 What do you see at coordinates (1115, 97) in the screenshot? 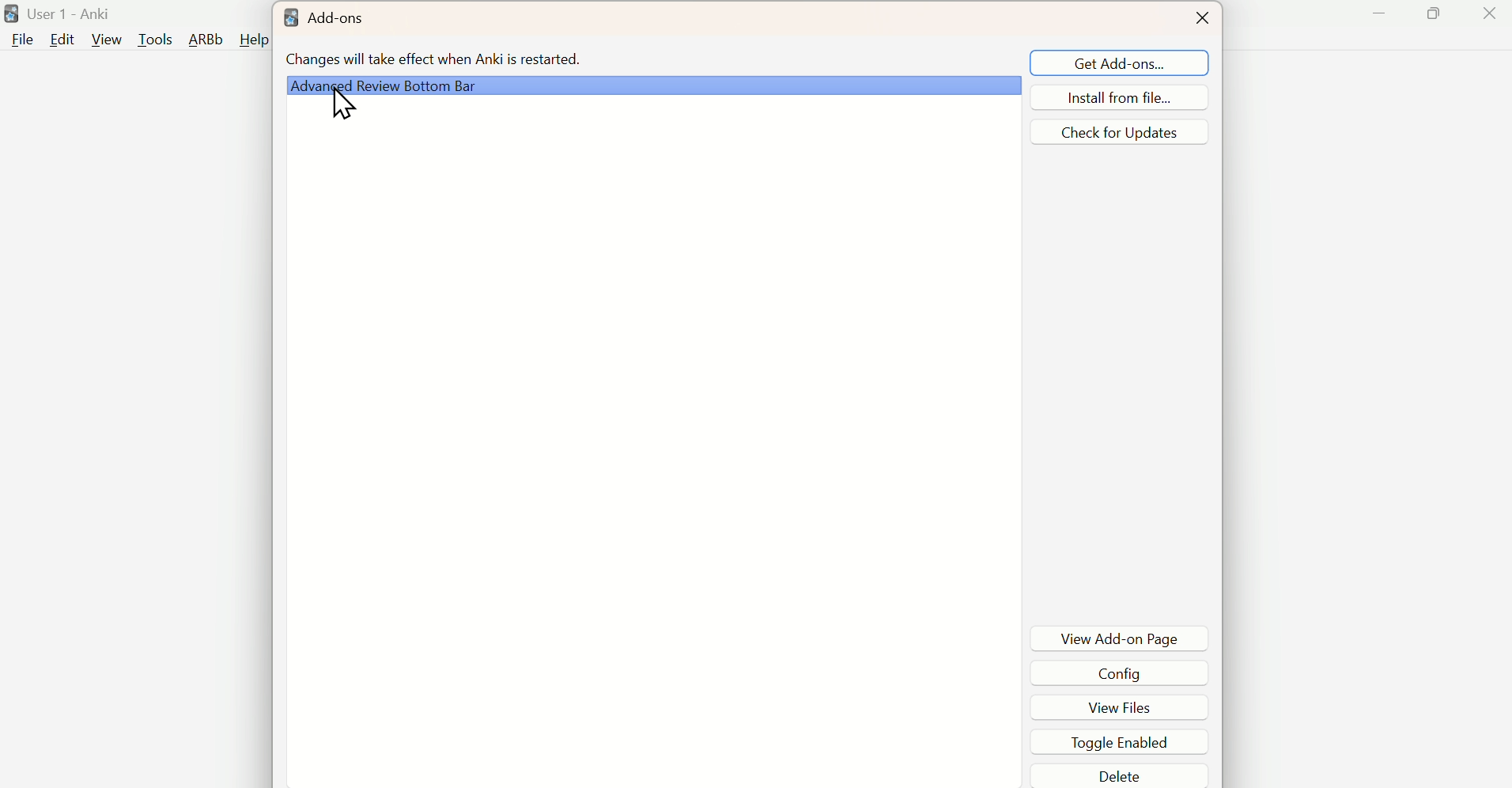
I see `Install from file...` at bounding box center [1115, 97].